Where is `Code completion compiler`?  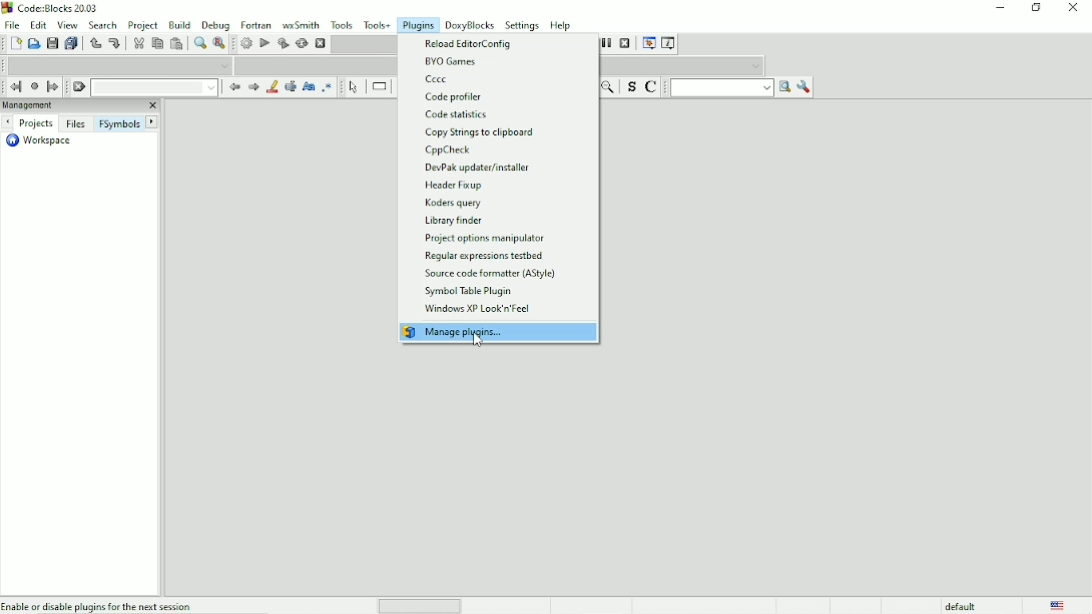 Code completion compiler is located at coordinates (316, 65).